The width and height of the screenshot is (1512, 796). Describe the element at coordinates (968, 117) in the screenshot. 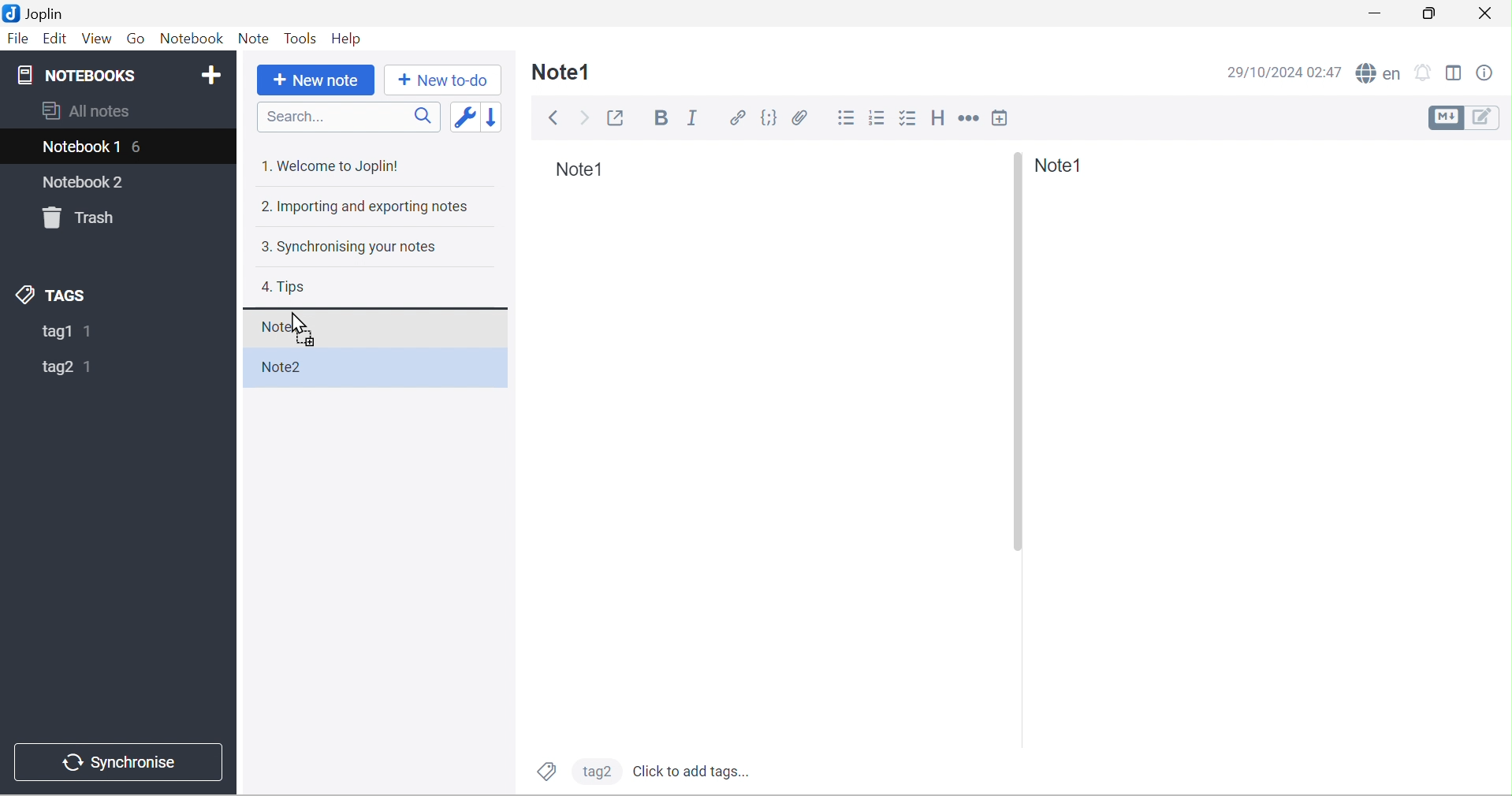

I see `Horizontal rule` at that location.